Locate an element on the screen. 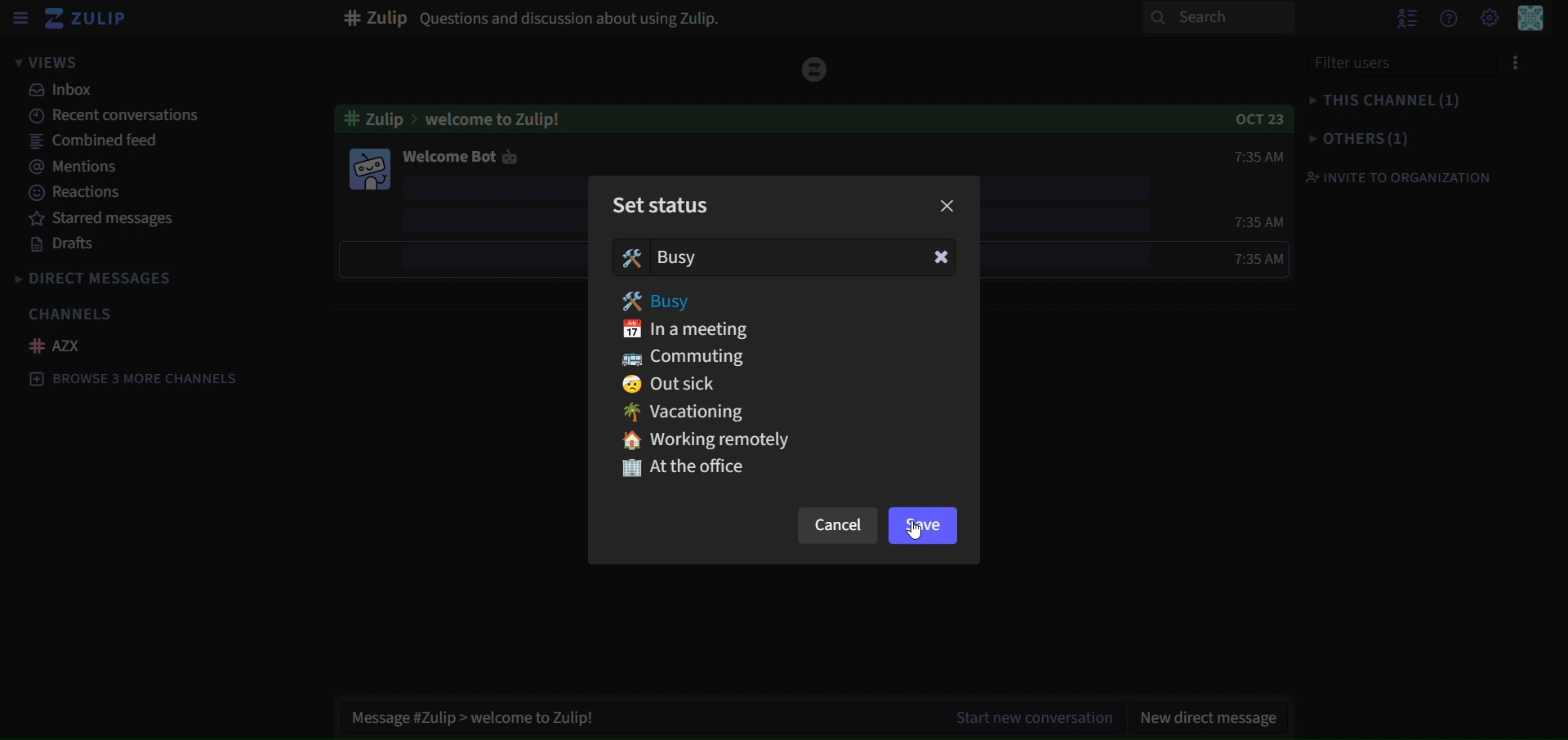 The image size is (1568, 740). perssonal menu is located at coordinates (1530, 19).